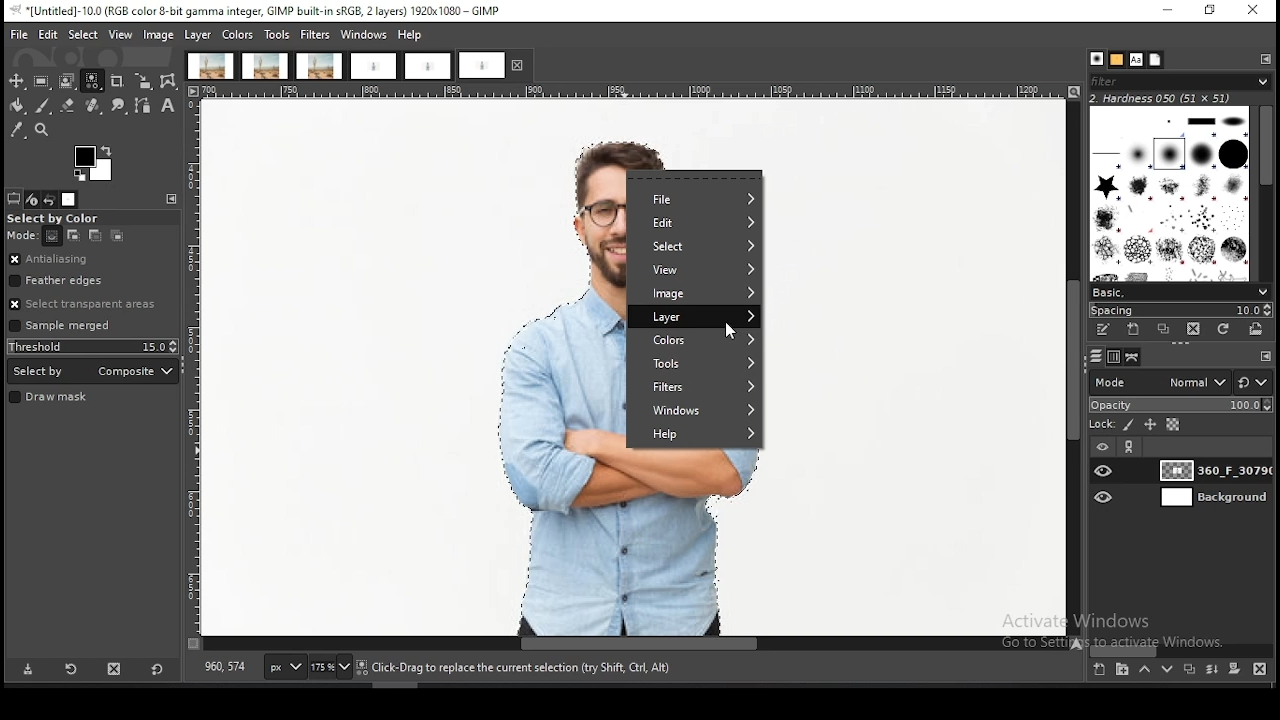 This screenshot has width=1280, height=720. I want to click on tool options, so click(14, 199).